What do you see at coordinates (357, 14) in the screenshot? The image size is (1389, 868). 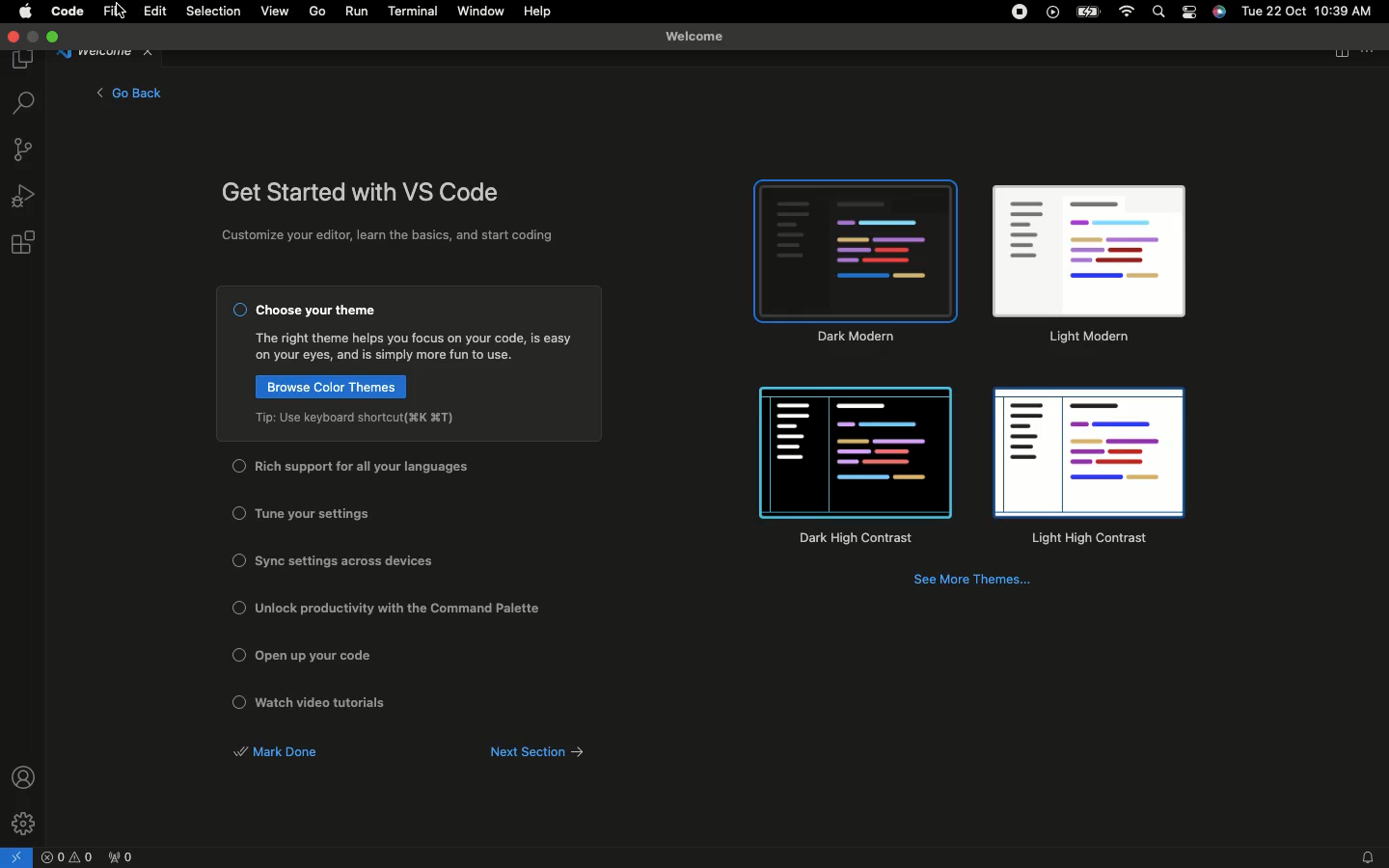 I see `Run` at bounding box center [357, 14].